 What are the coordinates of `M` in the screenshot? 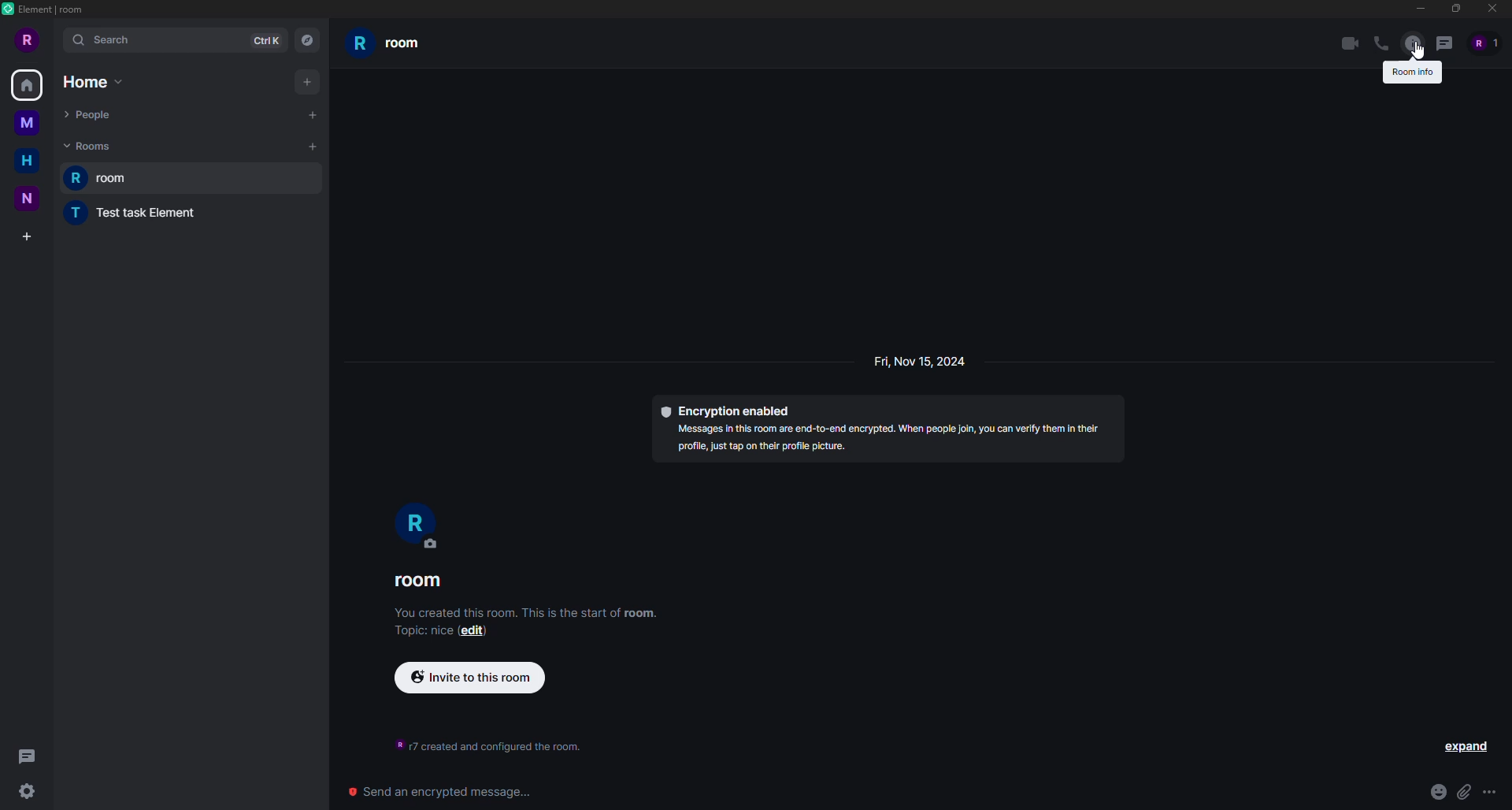 It's located at (29, 126).